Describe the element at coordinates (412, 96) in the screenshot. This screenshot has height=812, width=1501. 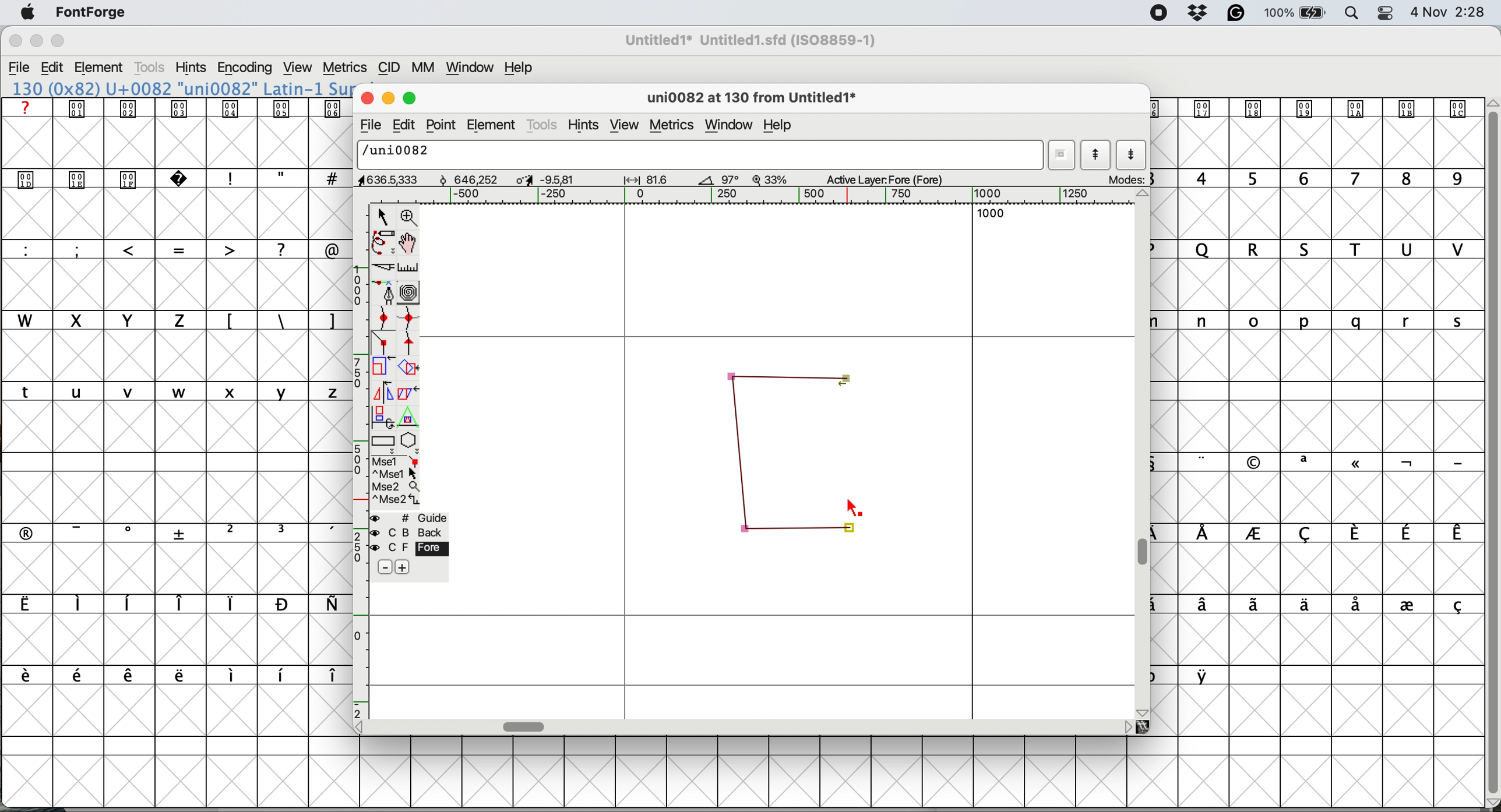
I see `maximise` at that location.